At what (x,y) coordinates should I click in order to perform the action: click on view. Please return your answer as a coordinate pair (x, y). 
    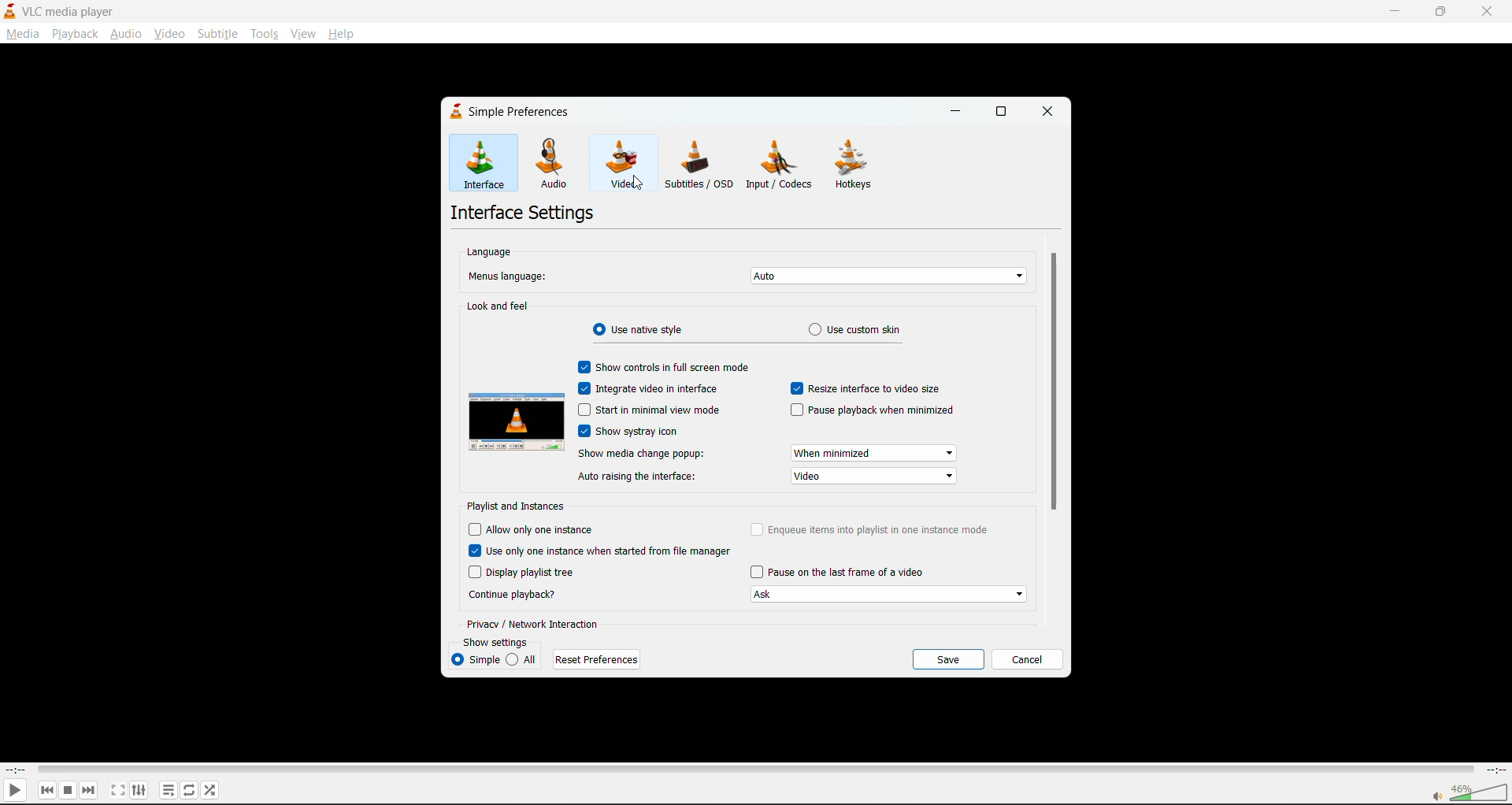
    Looking at the image, I should click on (303, 34).